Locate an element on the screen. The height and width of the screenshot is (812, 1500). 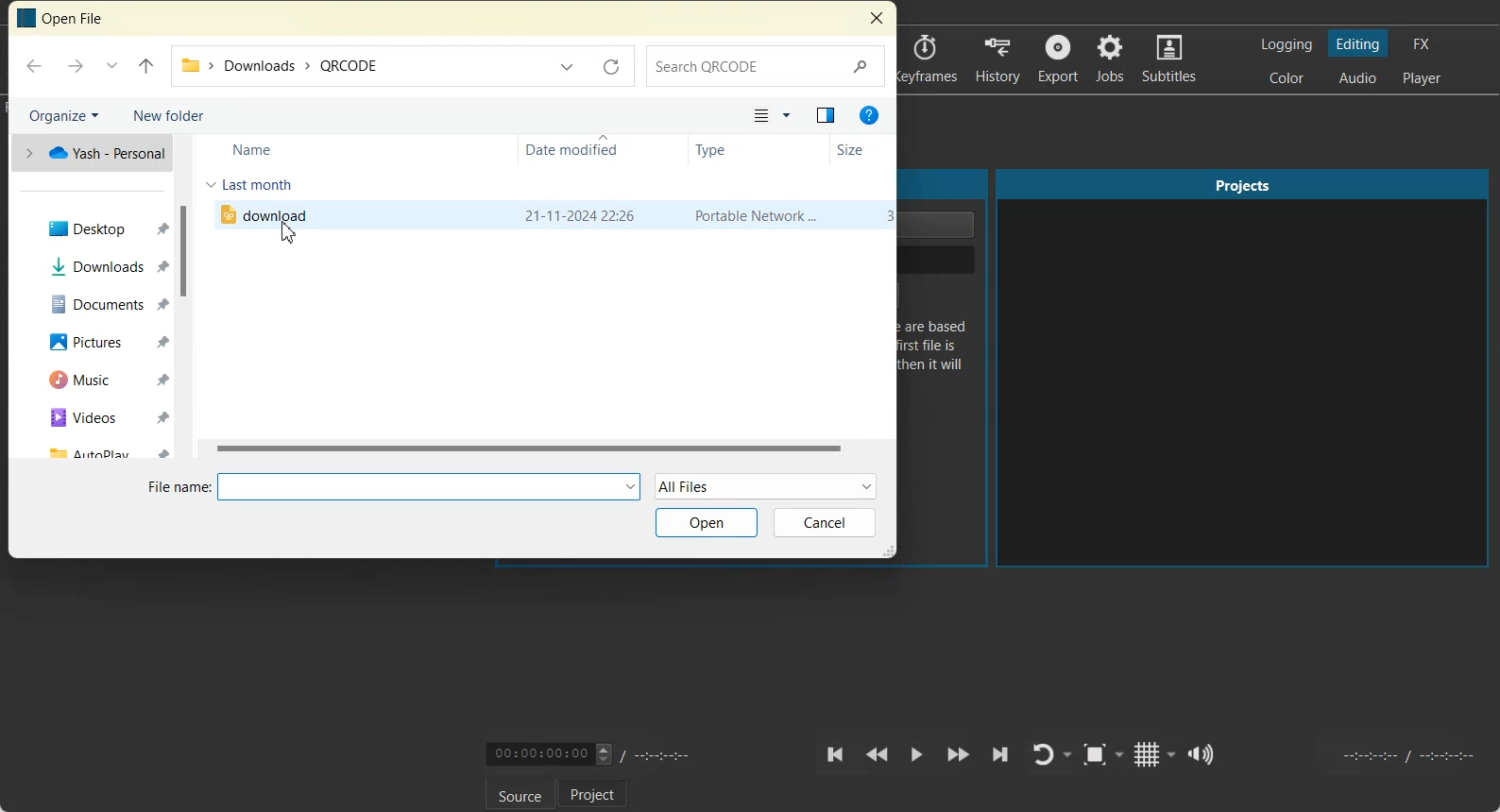
Toggle zoom is located at coordinates (1103, 754).